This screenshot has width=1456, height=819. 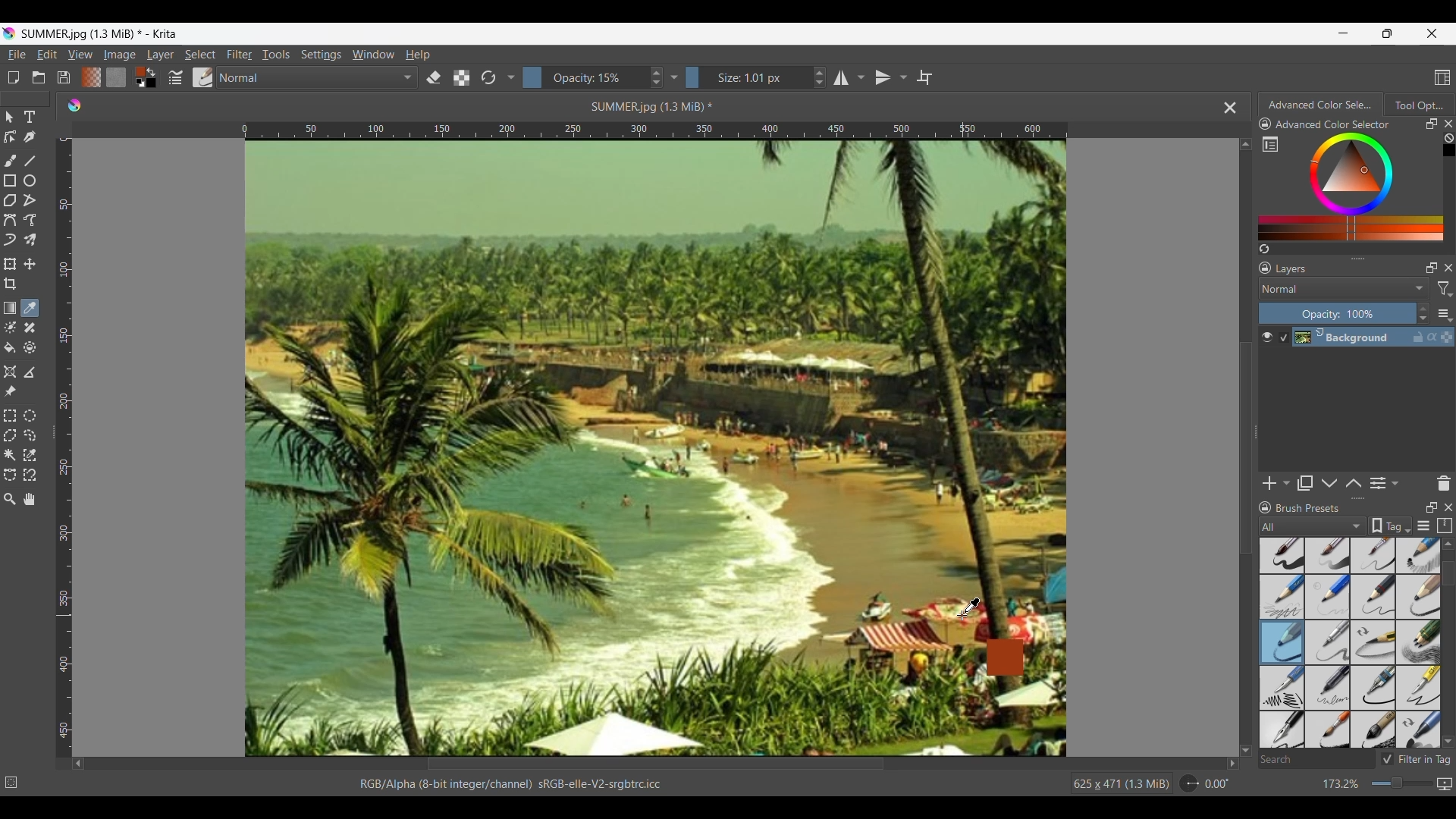 I want to click on Tool options, so click(x=1419, y=105).